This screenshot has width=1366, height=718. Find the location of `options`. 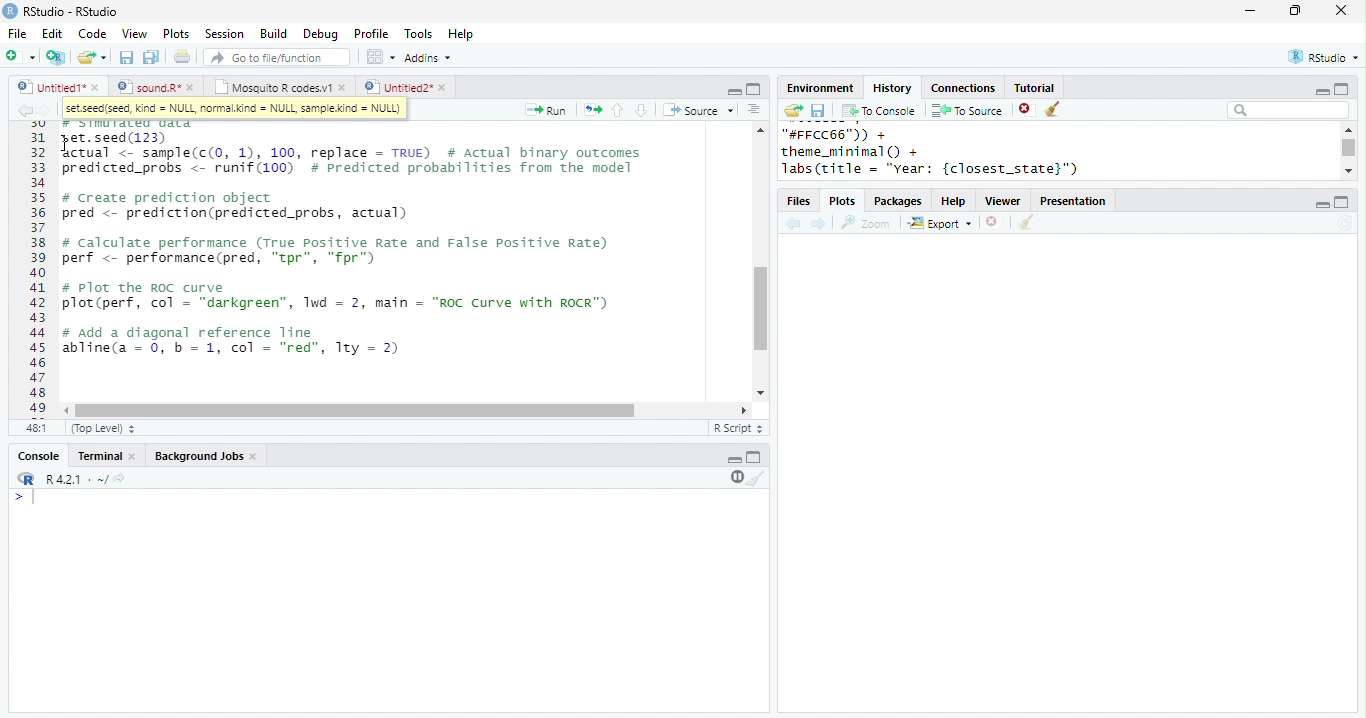

options is located at coordinates (379, 57).